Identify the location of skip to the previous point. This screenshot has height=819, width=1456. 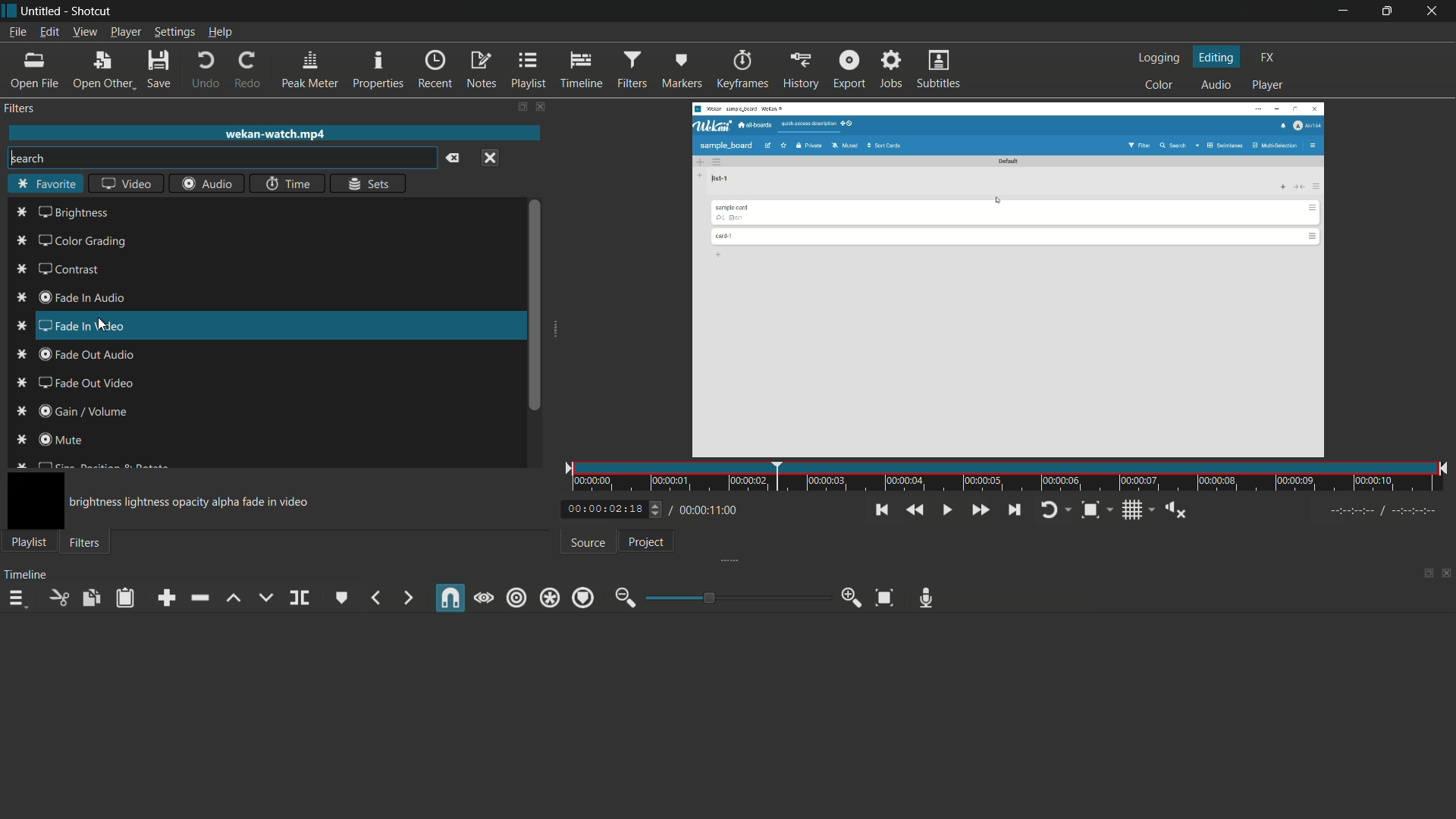
(883, 510).